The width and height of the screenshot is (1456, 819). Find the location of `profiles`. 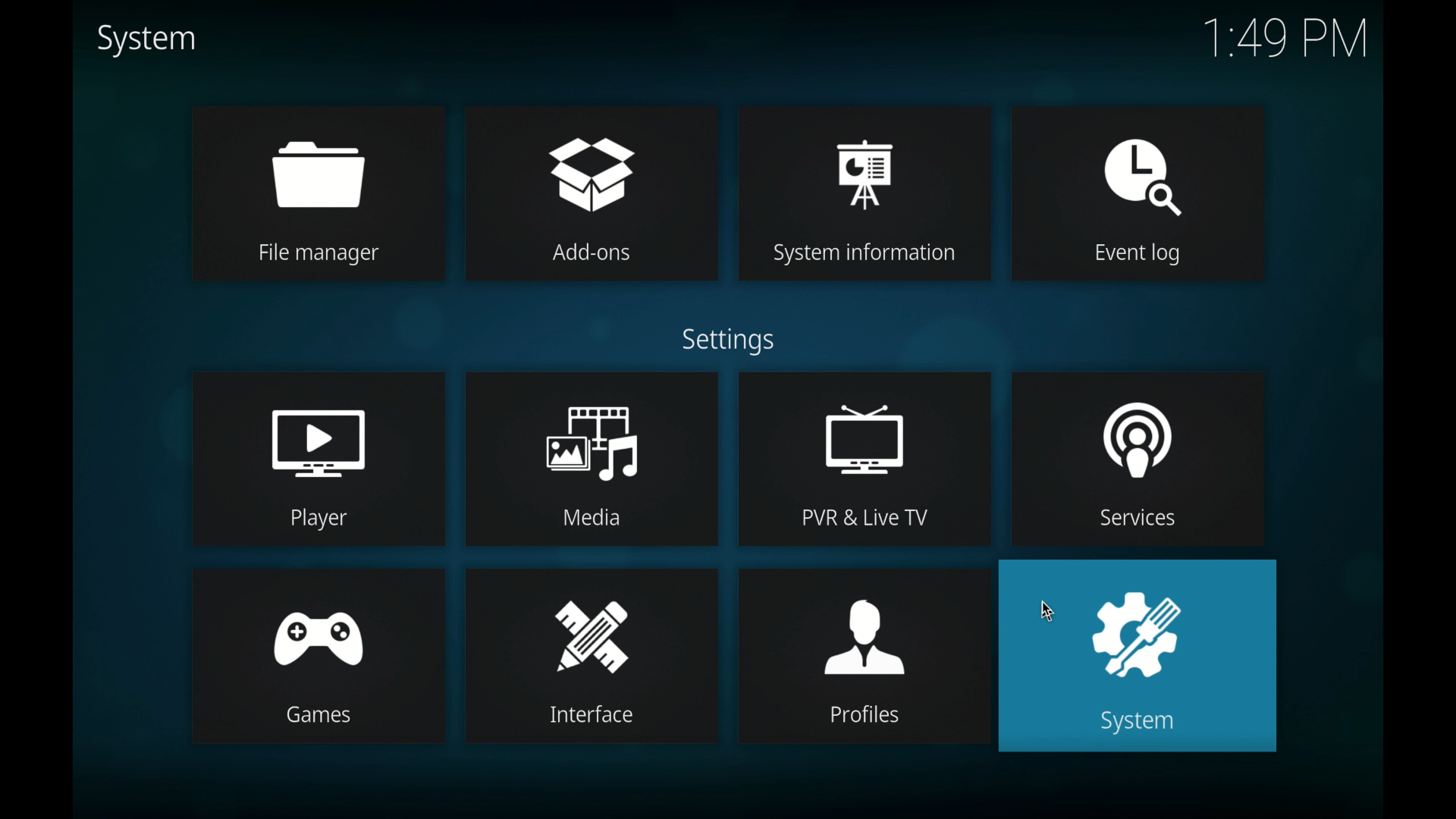

profiles is located at coordinates (863, 653).